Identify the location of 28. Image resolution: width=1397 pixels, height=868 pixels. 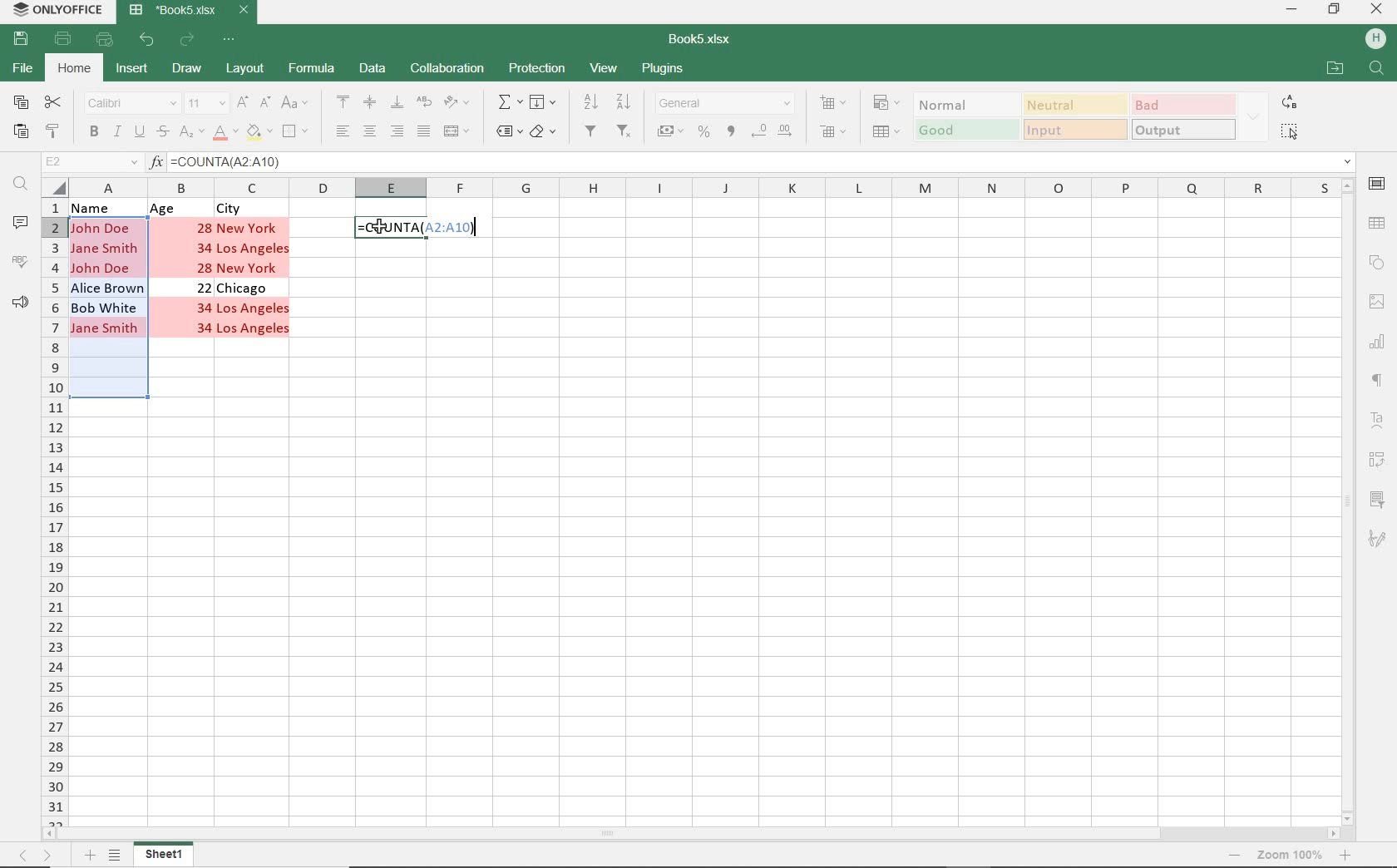
(205, 226).